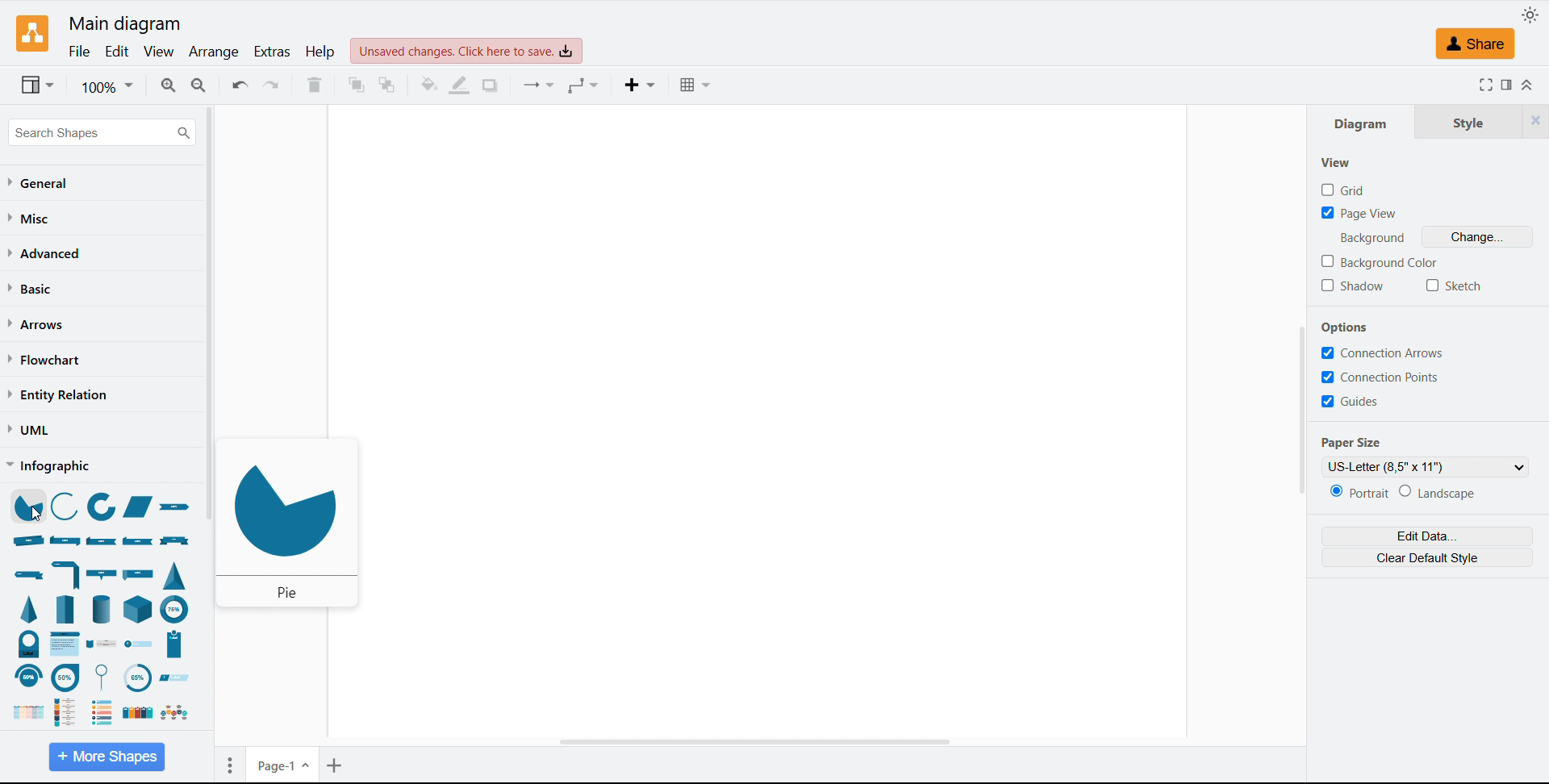 The image size is (1549, 784). I want to click on File , so click(78, 52).